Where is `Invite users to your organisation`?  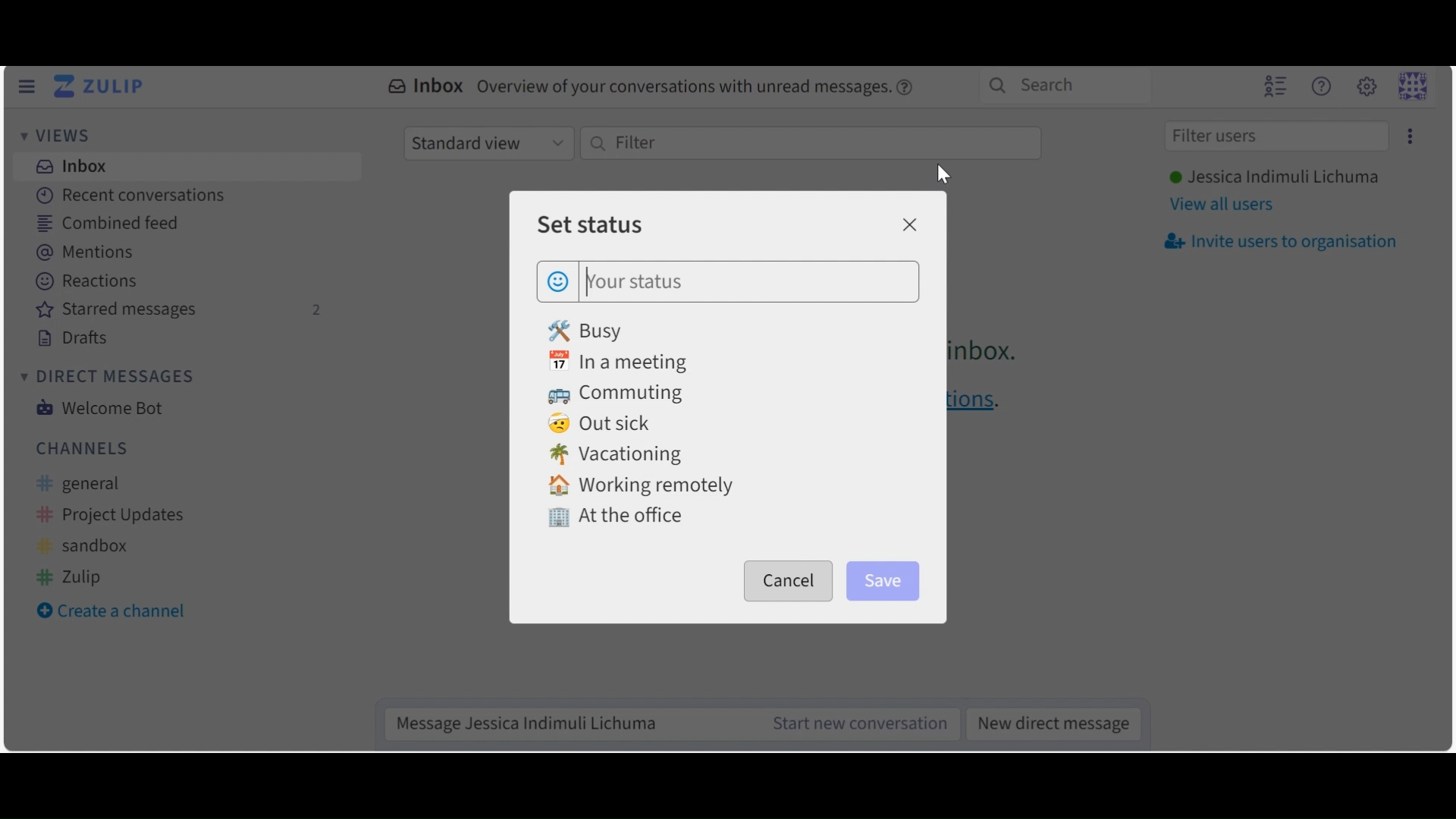 Invite users to your organisation is located at coordinates (1279, 242).